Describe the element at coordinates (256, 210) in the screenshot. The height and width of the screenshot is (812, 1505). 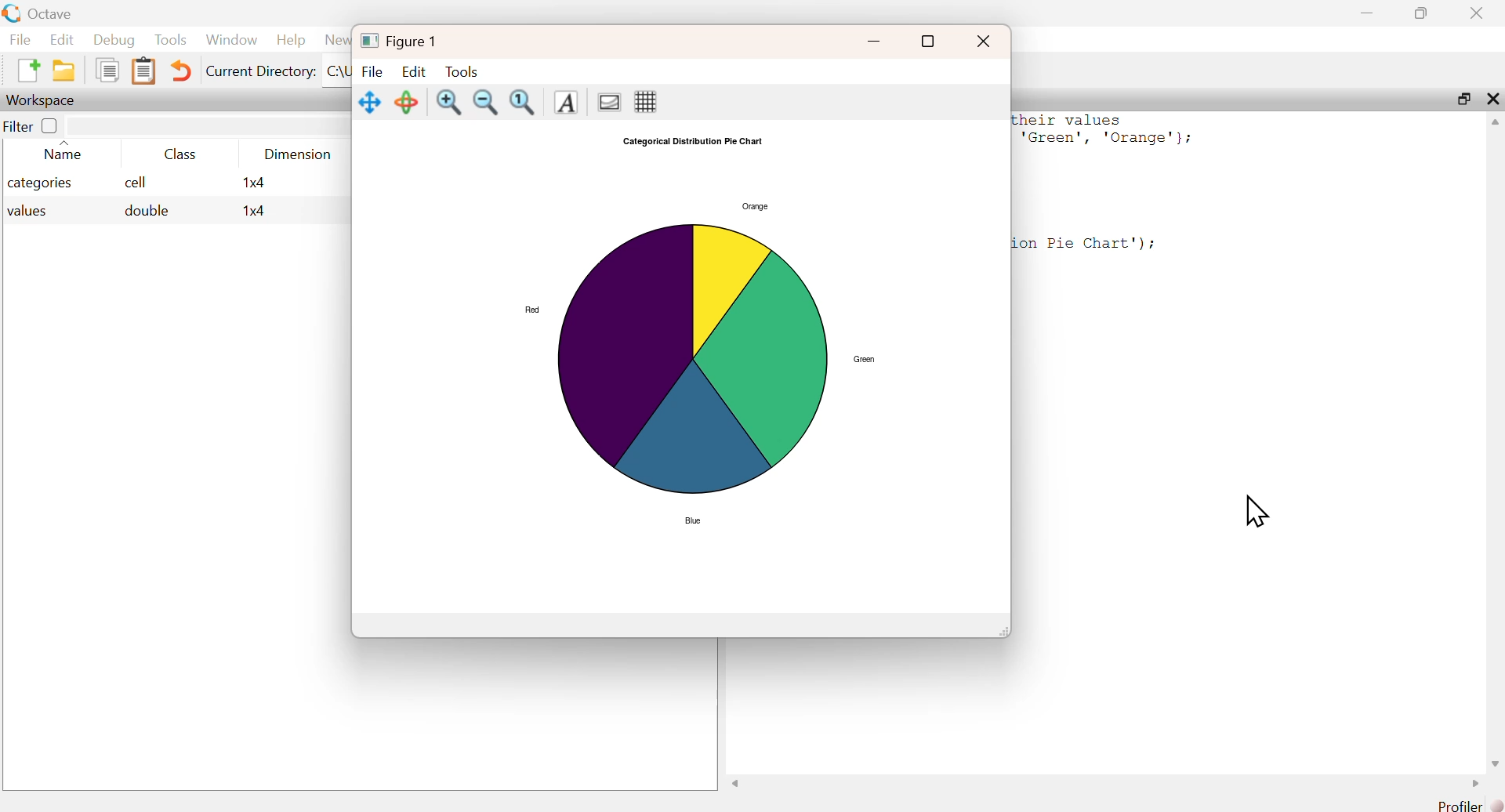
I see `1x4` at that location.